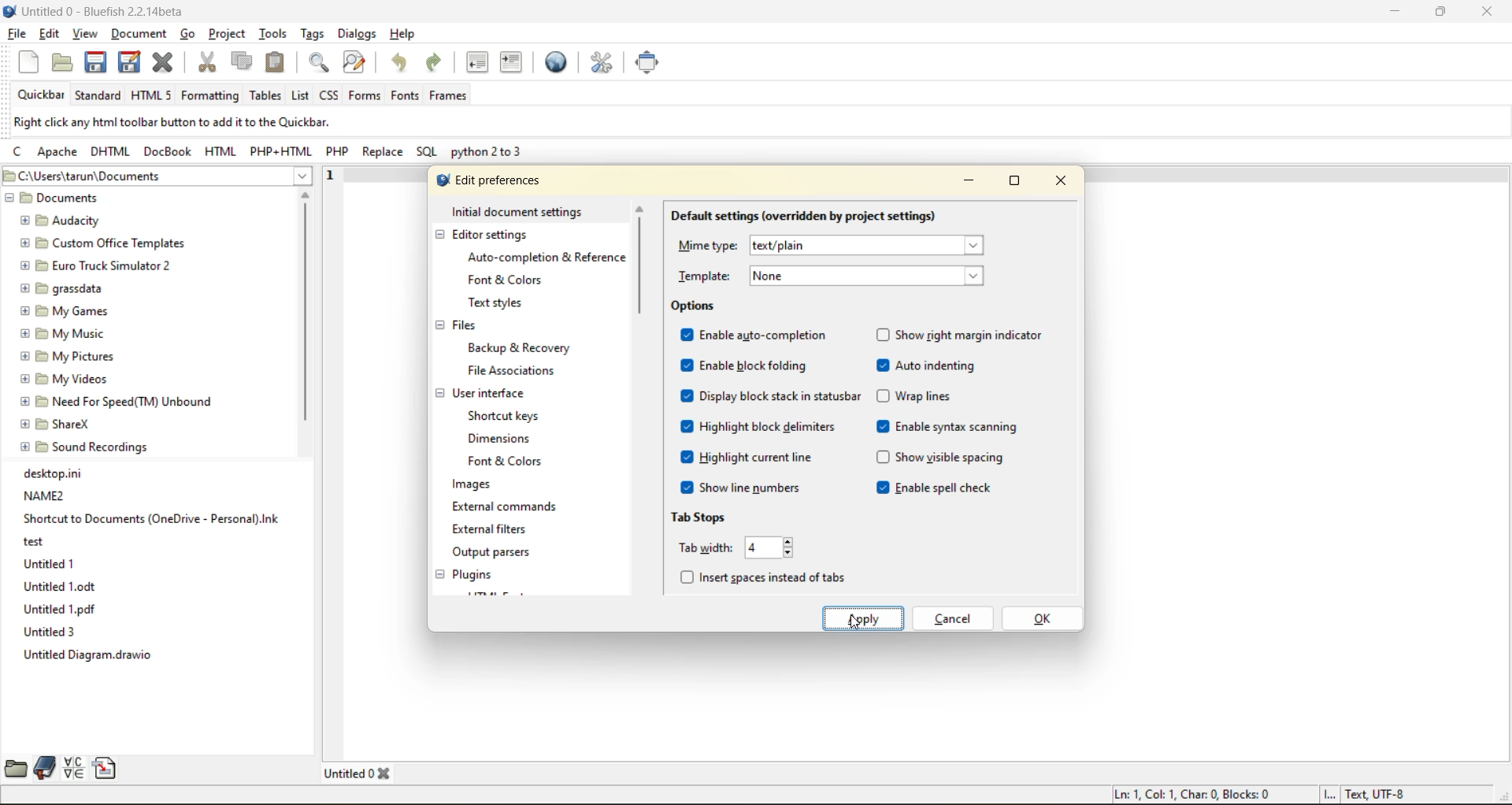  Describe the element at coordinates (65, 377) in the screenshot. I see `@ B My Videos` at that location.